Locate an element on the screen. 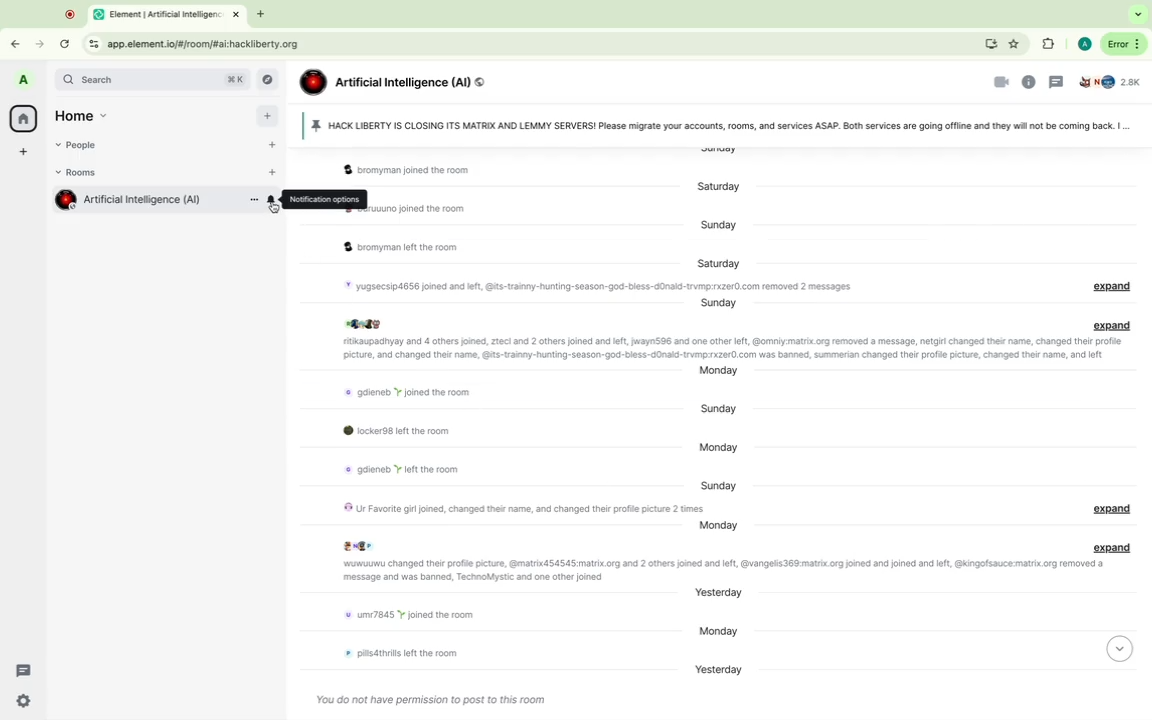 Image resolution: width=1152 pixels, height=720 pixels. Url is located at coordinates (190, 43).